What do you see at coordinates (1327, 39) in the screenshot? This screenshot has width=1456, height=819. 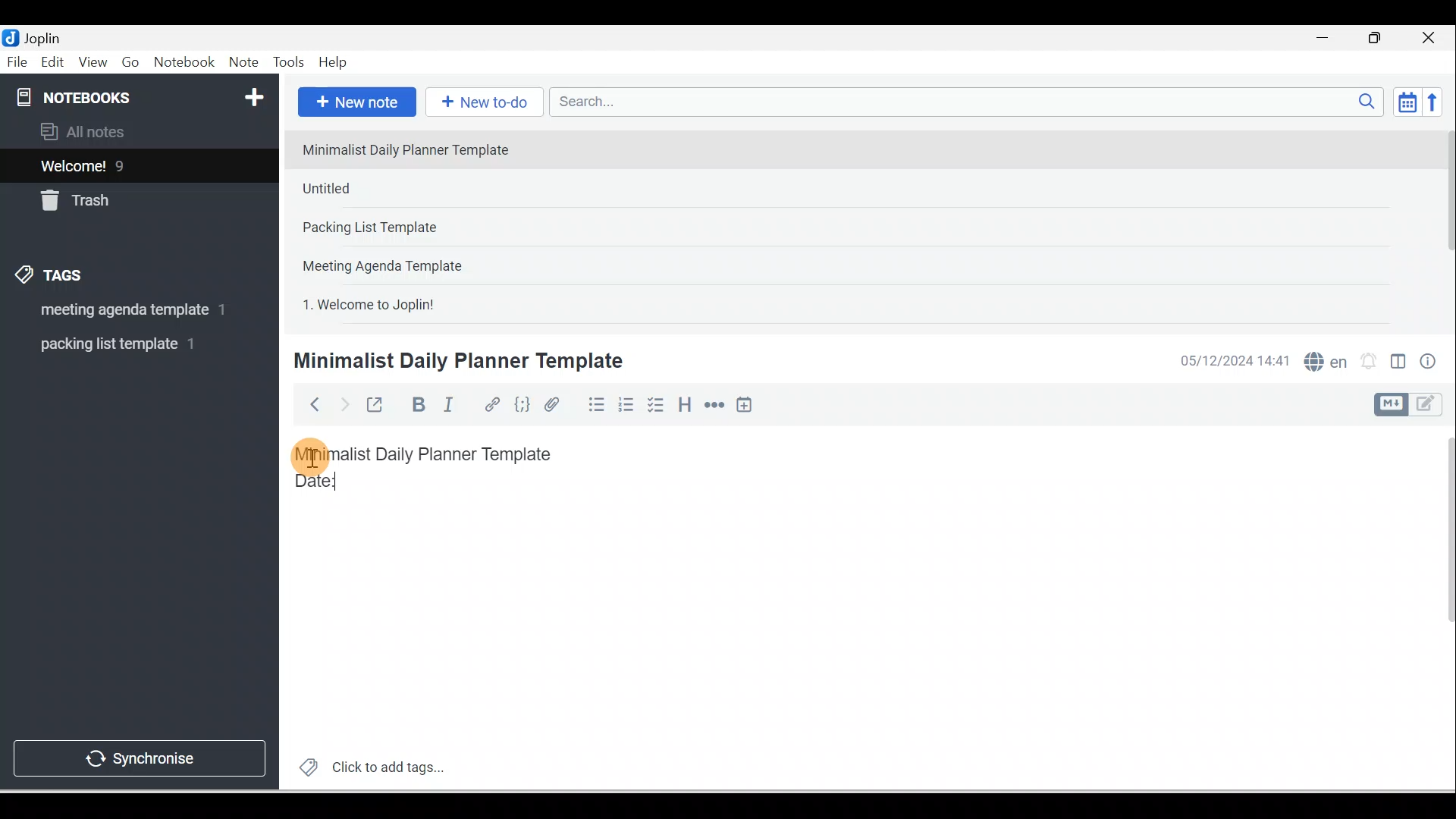 I see `Minimise` at bounding box center [1327, 39].